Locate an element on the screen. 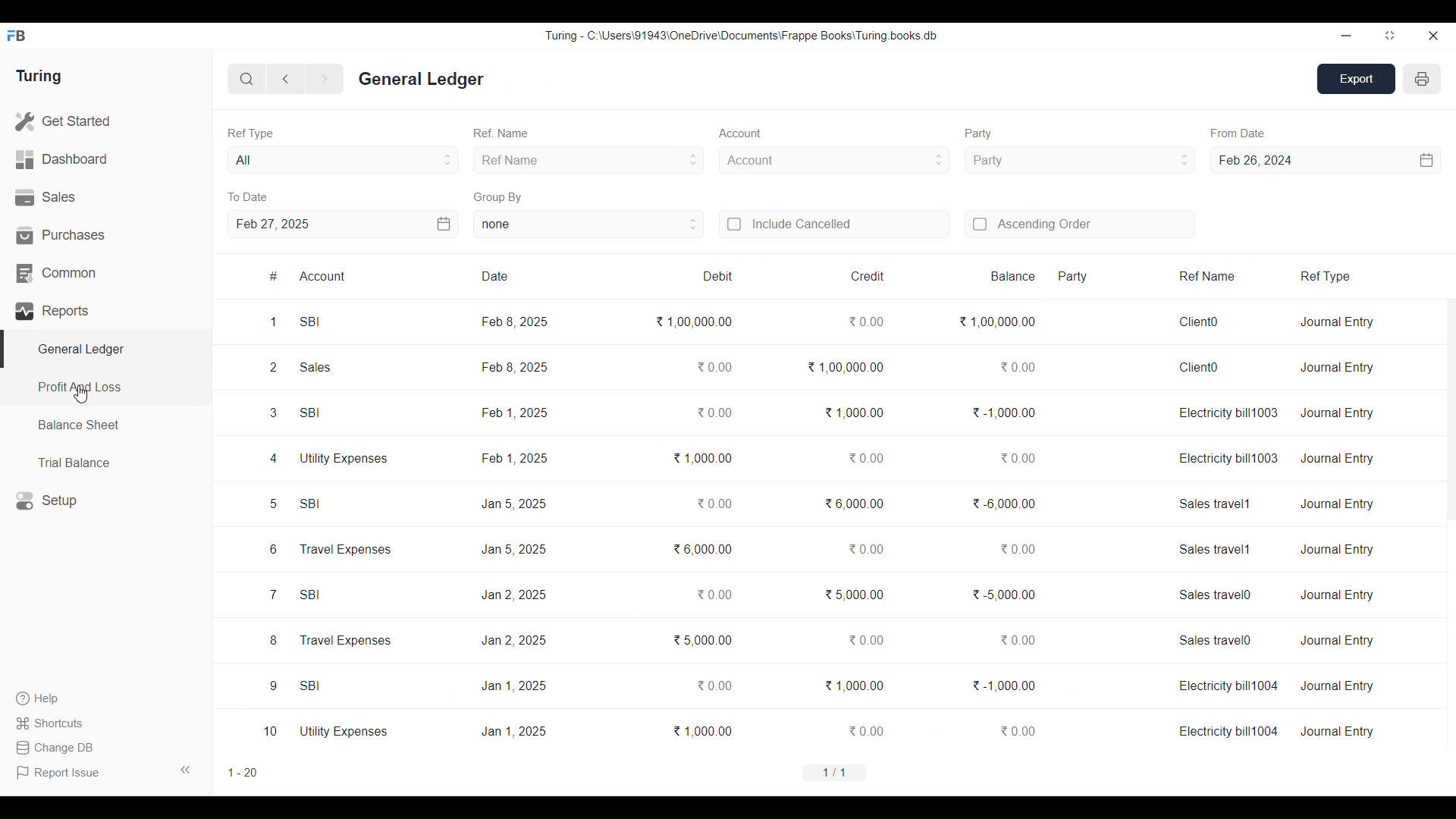 The width and height of the screenshot is (1456, 819). Client0 is located at coordinates (1199, 322).